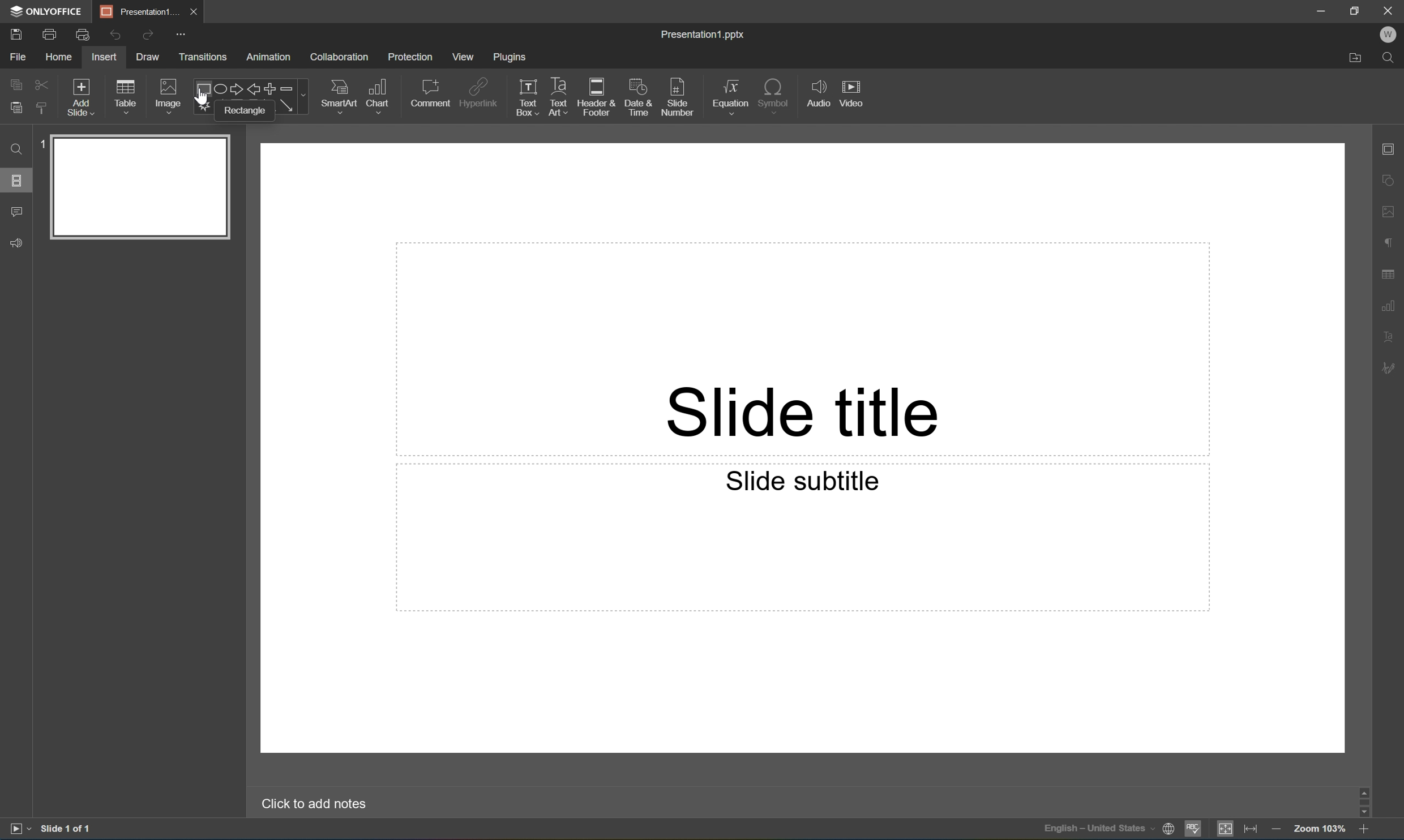 The width and height of the screenshot is (1404, 840). What do you see at coordinates (1252, 828) in the screenshot?
I see `Fit to width` at bounding box center [1252, 828].